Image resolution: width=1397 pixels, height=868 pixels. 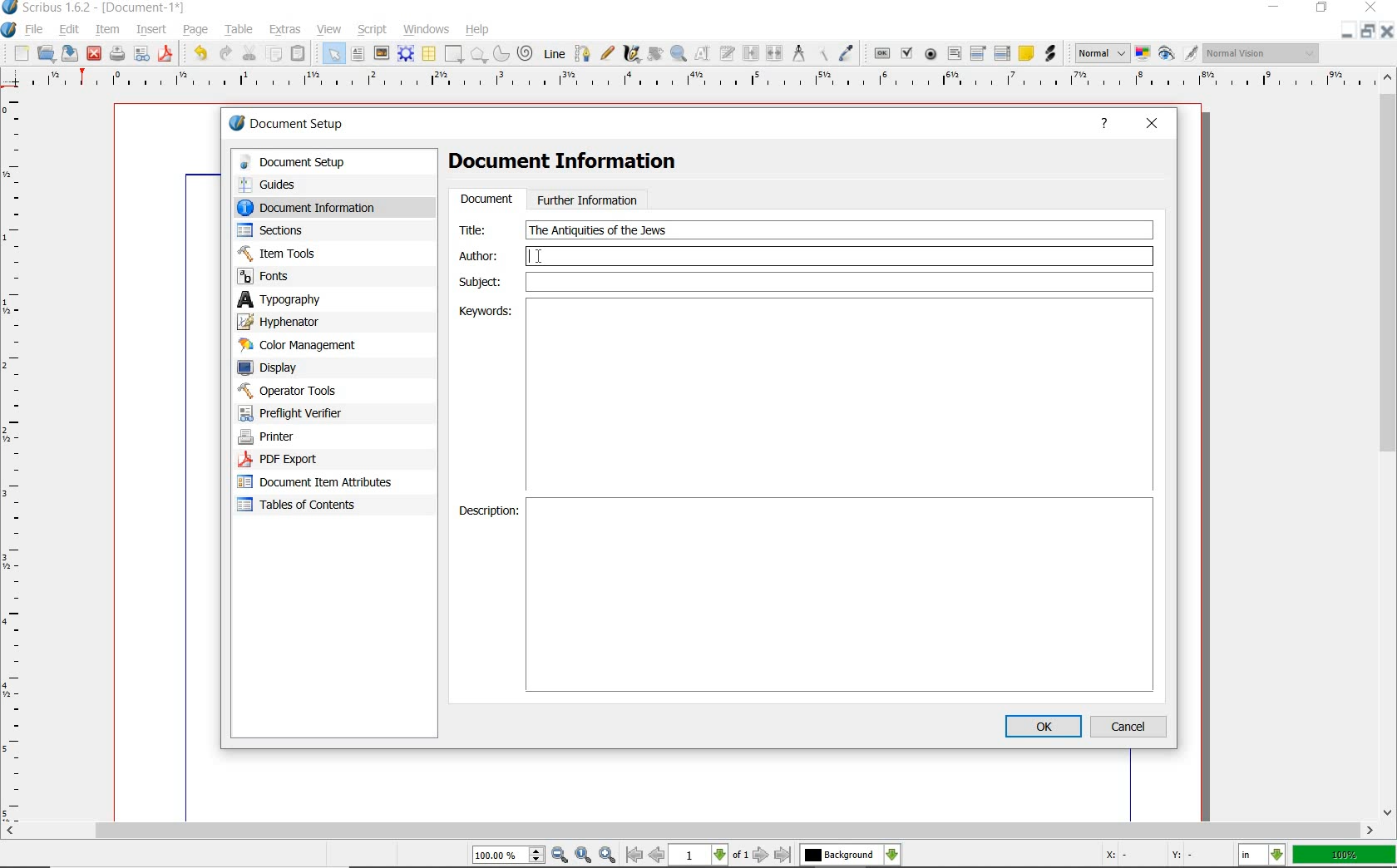 I want to click on Title, so click(x=483, y=229).